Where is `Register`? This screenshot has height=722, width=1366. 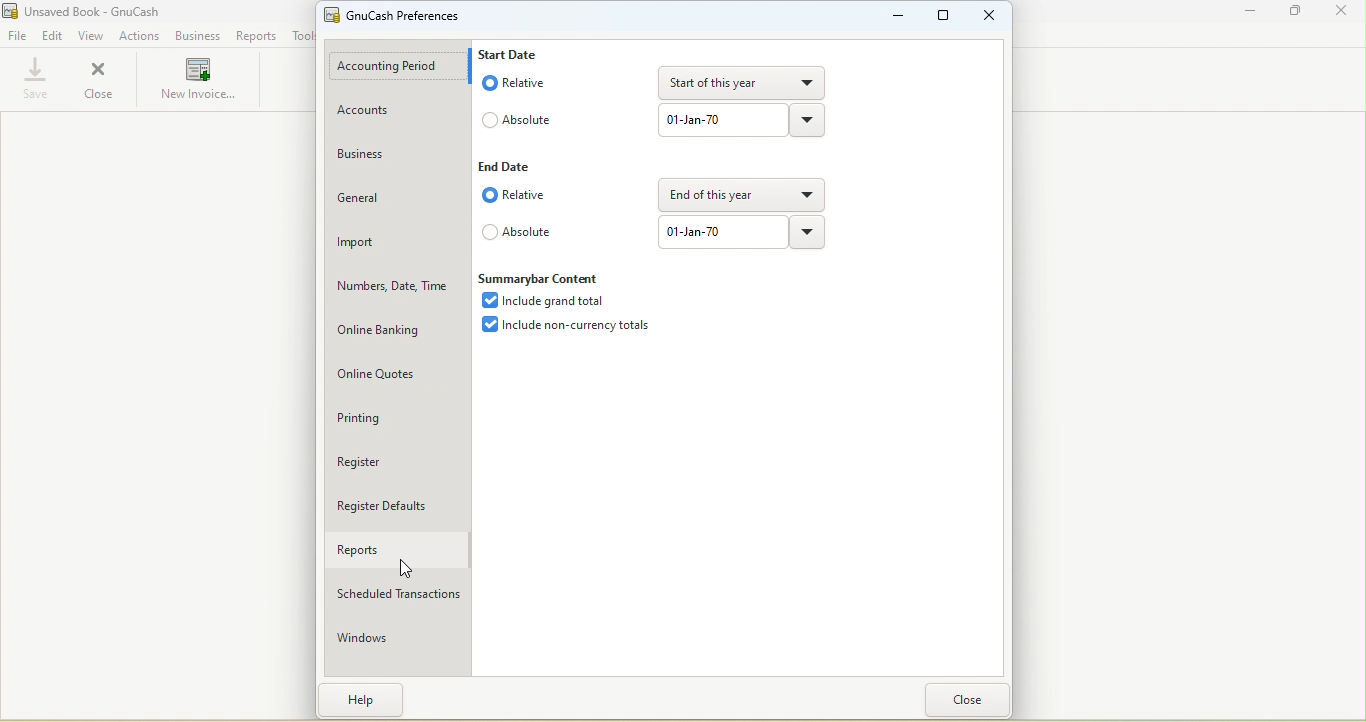 Register is located at coordinates (390, 459).